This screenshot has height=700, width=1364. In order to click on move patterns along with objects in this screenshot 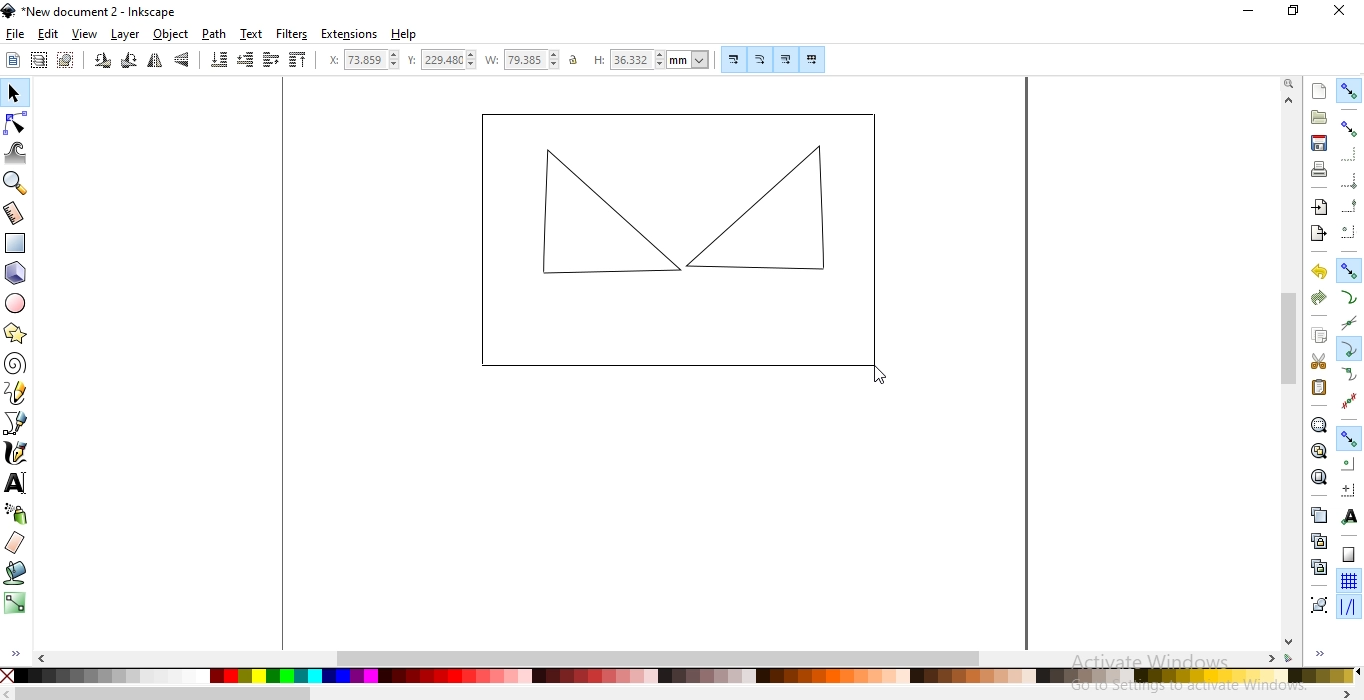, I will do `click(812, 58)`.